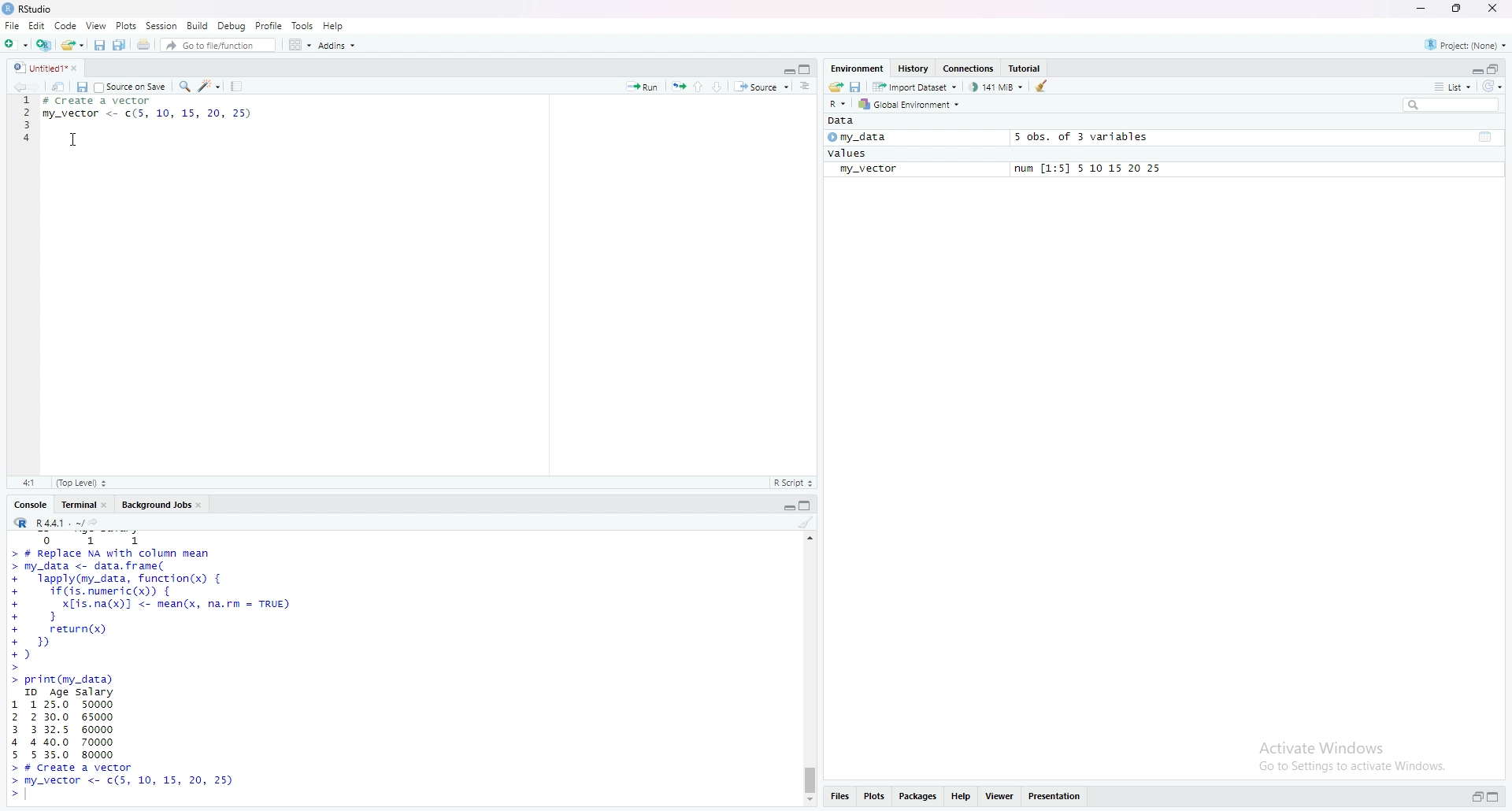 This screenshot has height=811, width=1512. I want to click on collapse, so click(1497, 797).